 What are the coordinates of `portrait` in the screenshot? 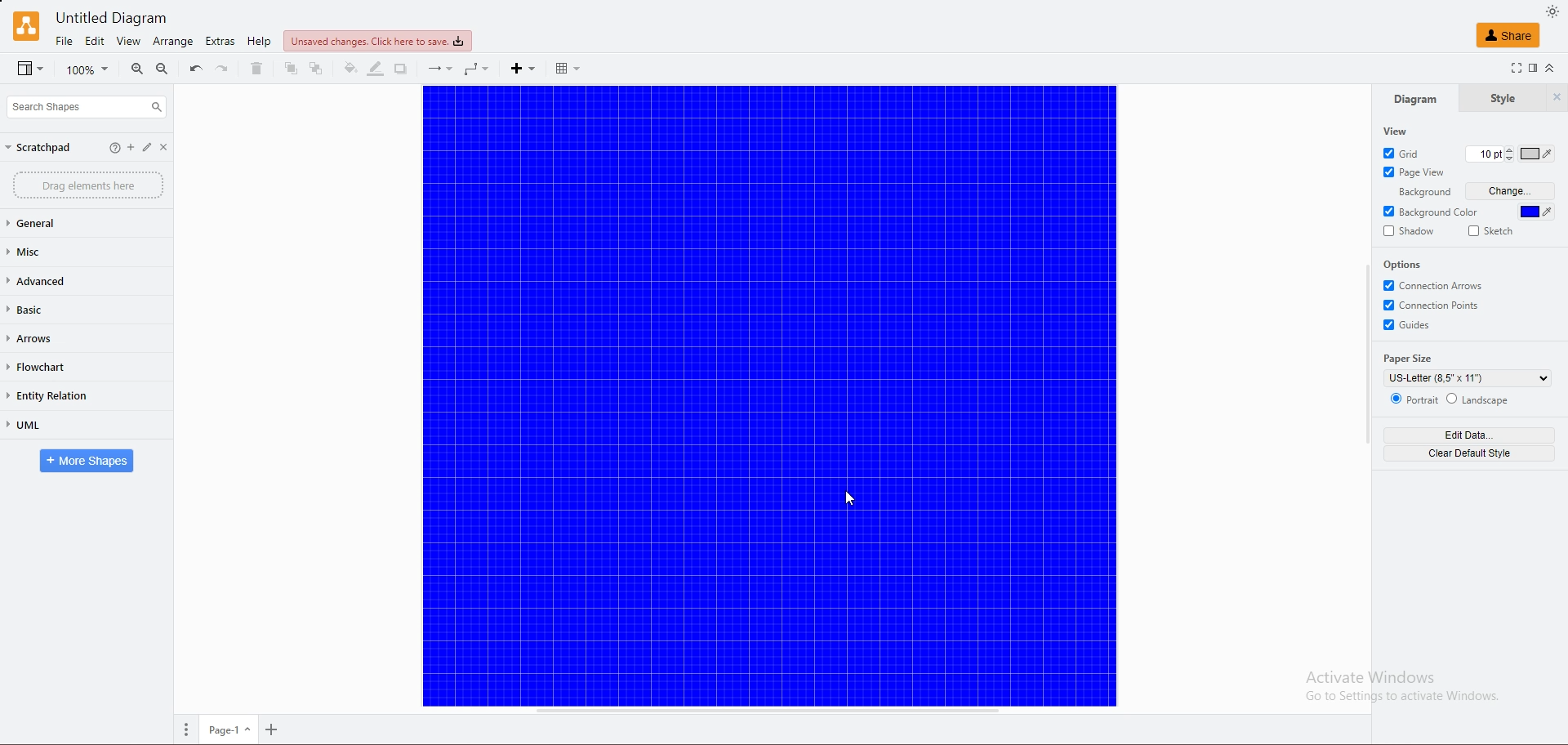 It's located at (1414, 398).